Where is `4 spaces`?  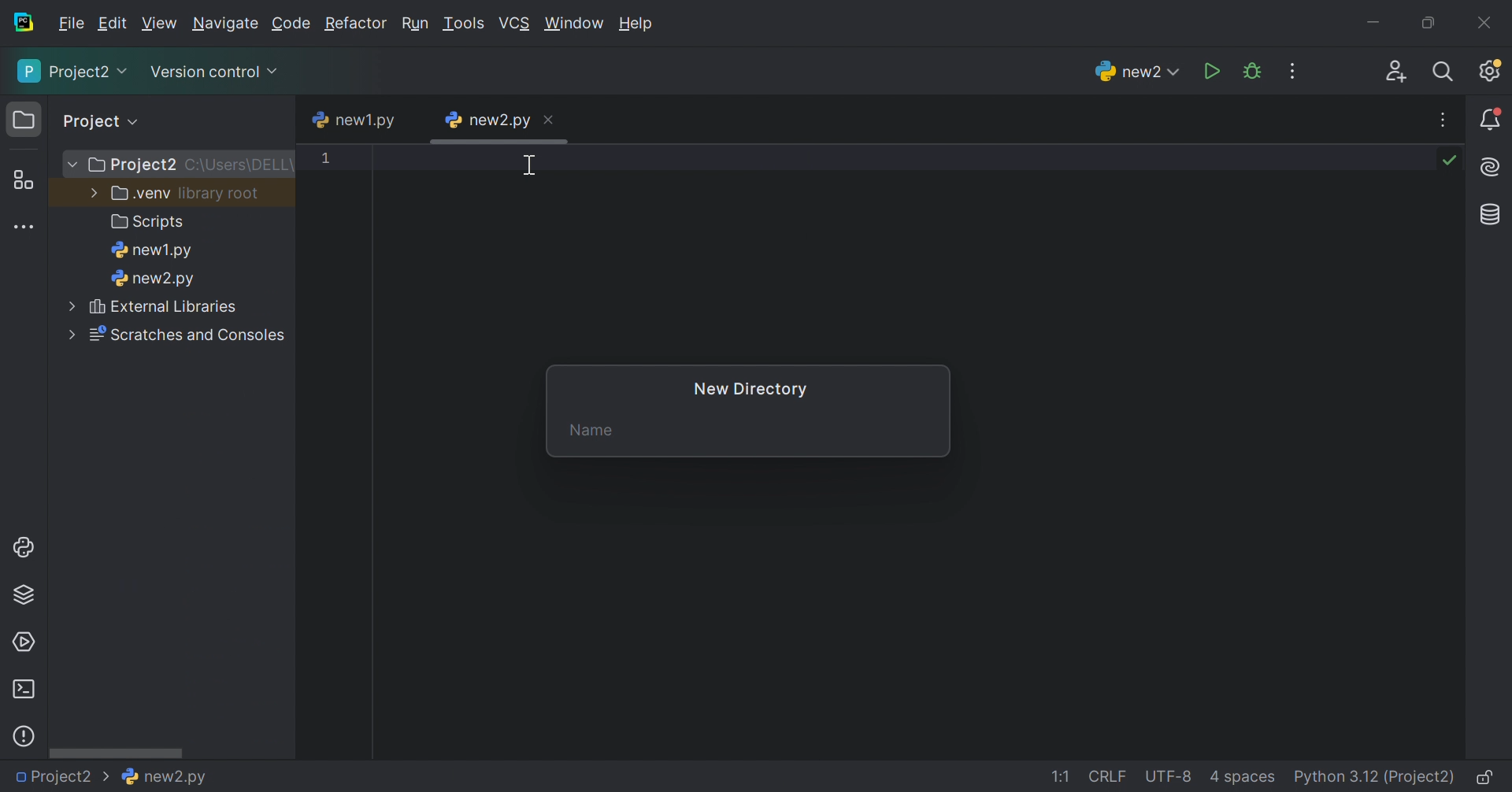 4 spaces is located at coordinates (1243, 775).